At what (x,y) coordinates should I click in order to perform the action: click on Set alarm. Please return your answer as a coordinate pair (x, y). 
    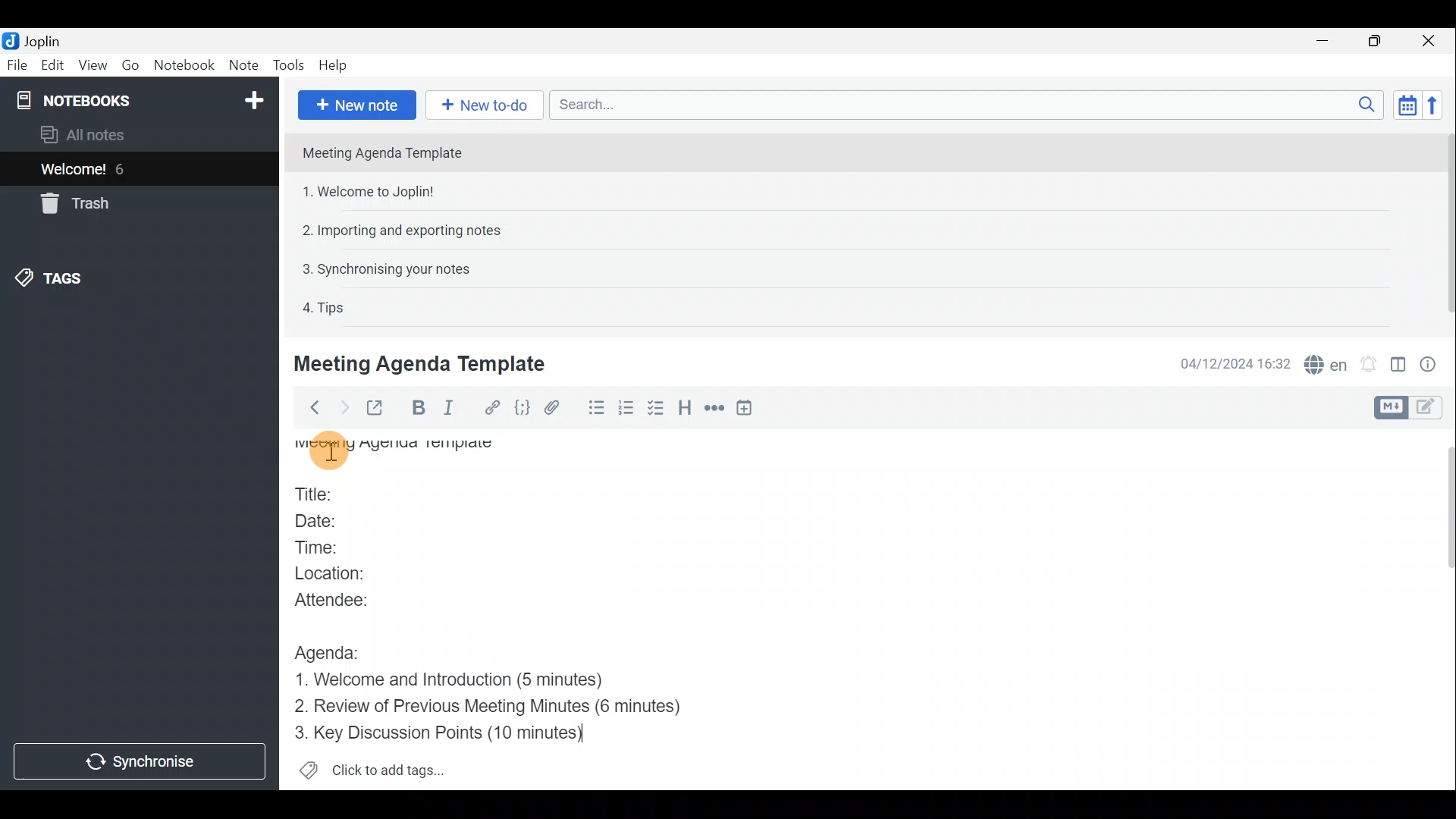
    Looking at the image, I should click on (1370, 364).